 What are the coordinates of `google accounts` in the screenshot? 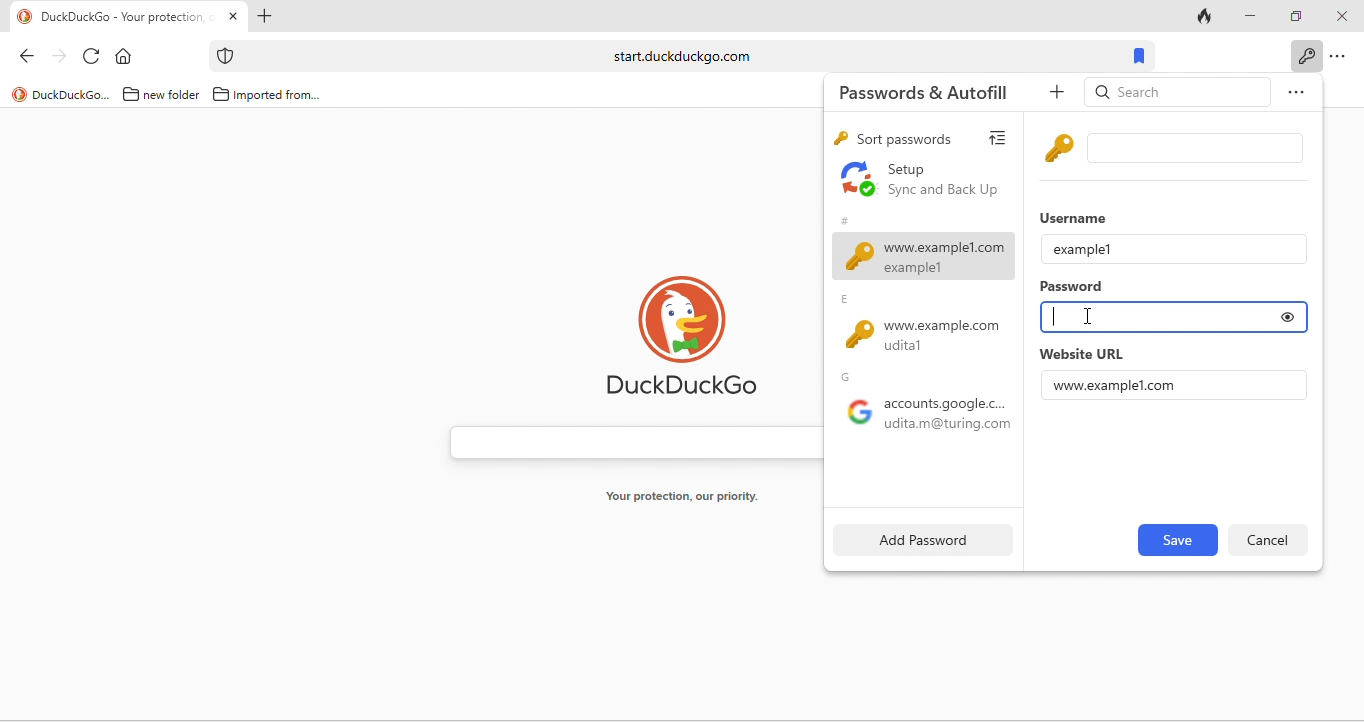 It's located at (923, 418).